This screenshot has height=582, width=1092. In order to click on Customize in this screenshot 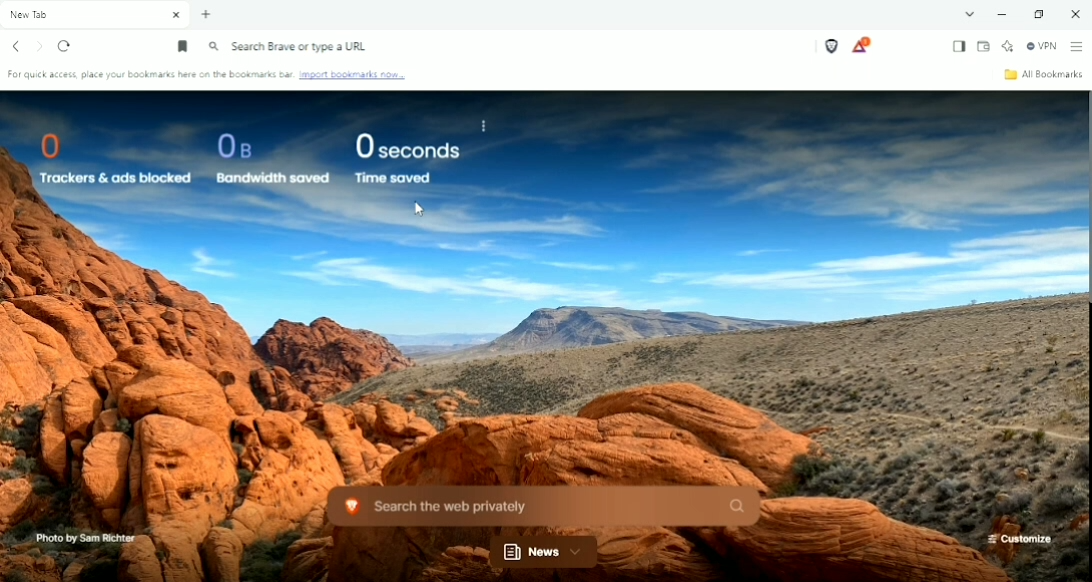, I will do `click(1019, 539)`.